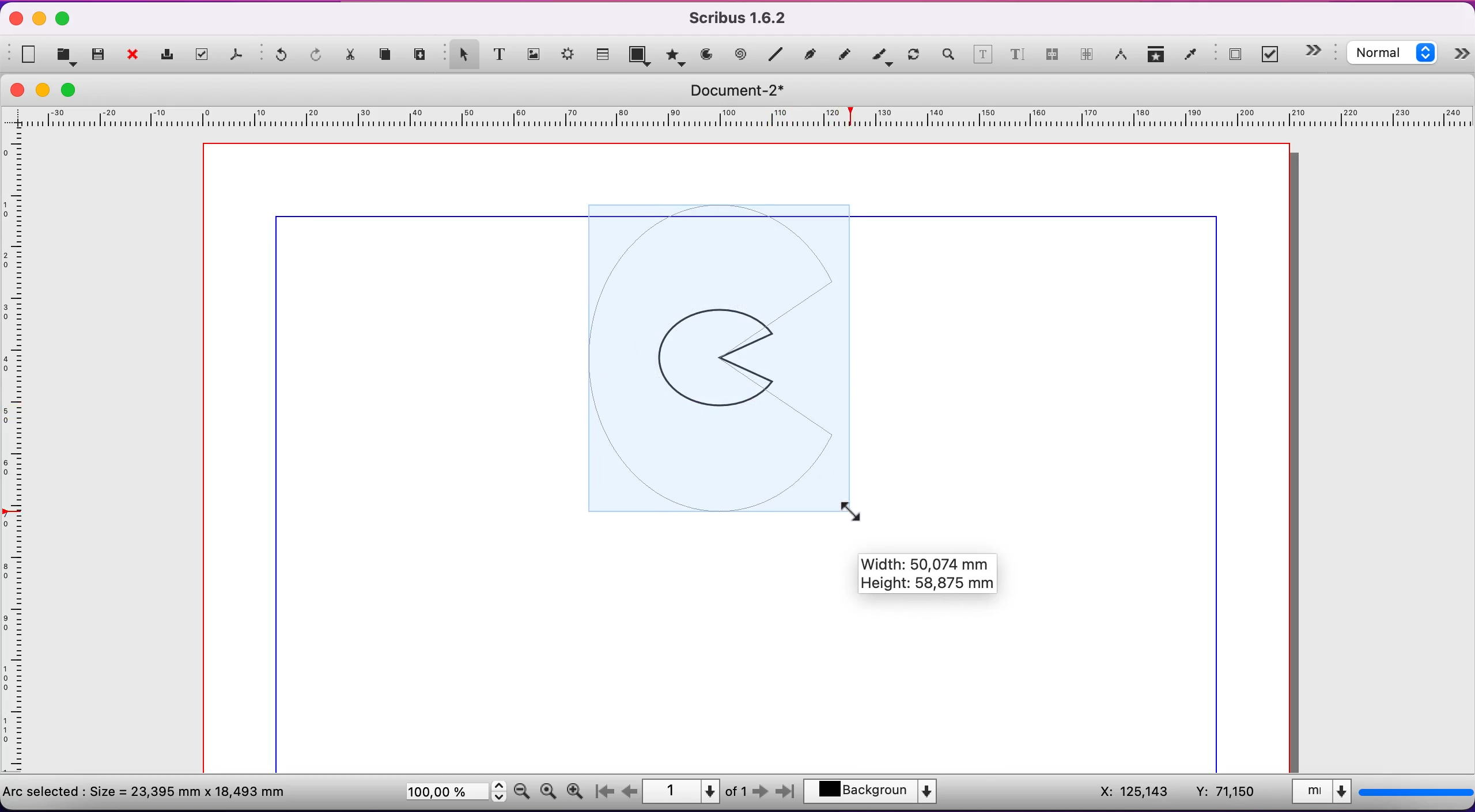  I want to click on open, so click(68, 55).